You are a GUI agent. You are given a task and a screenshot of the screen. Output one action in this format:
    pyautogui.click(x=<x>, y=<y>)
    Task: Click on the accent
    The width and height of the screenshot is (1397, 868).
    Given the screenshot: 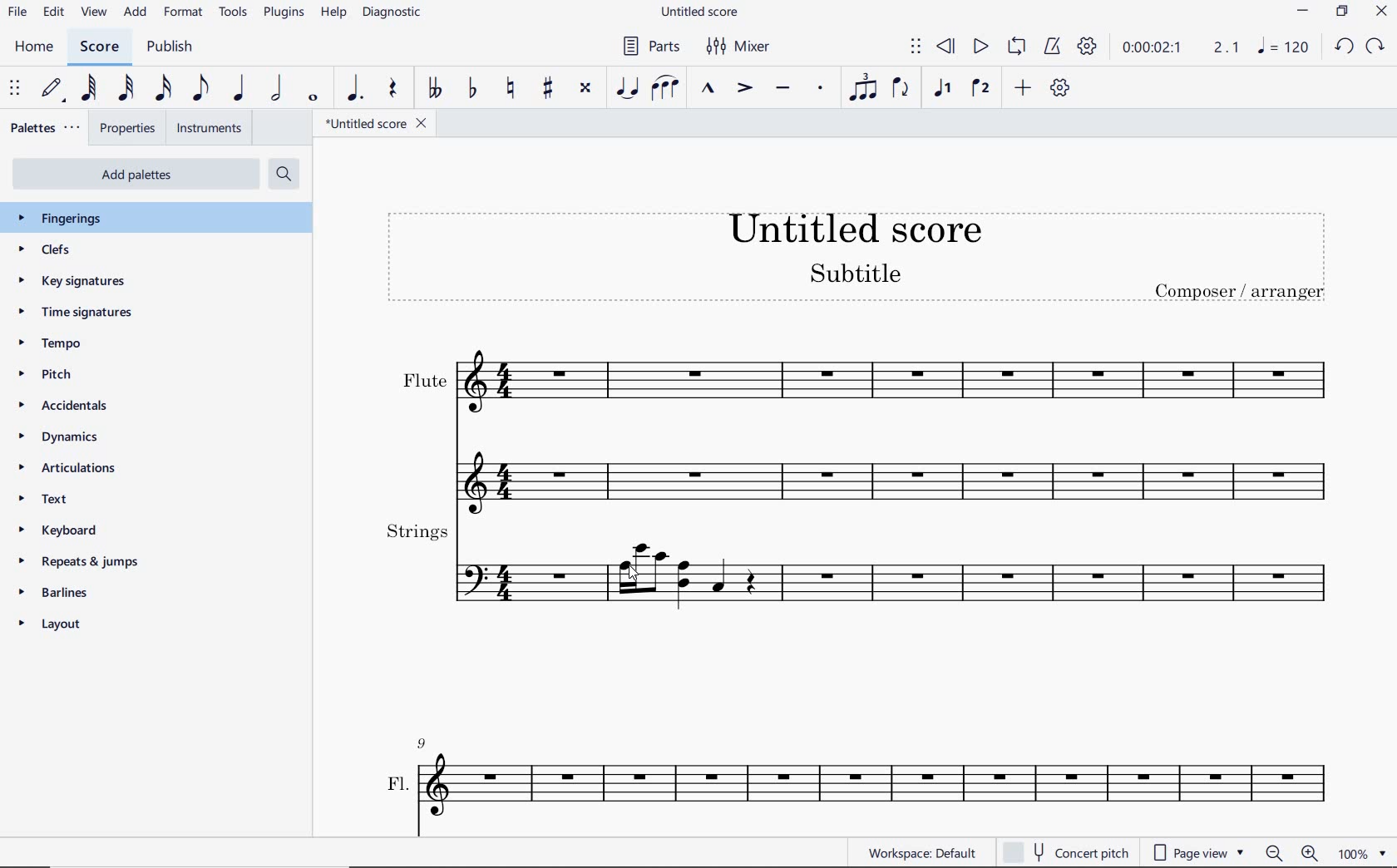 What is the action you would take?
    pyautogui.click(x=743, y=88)
    